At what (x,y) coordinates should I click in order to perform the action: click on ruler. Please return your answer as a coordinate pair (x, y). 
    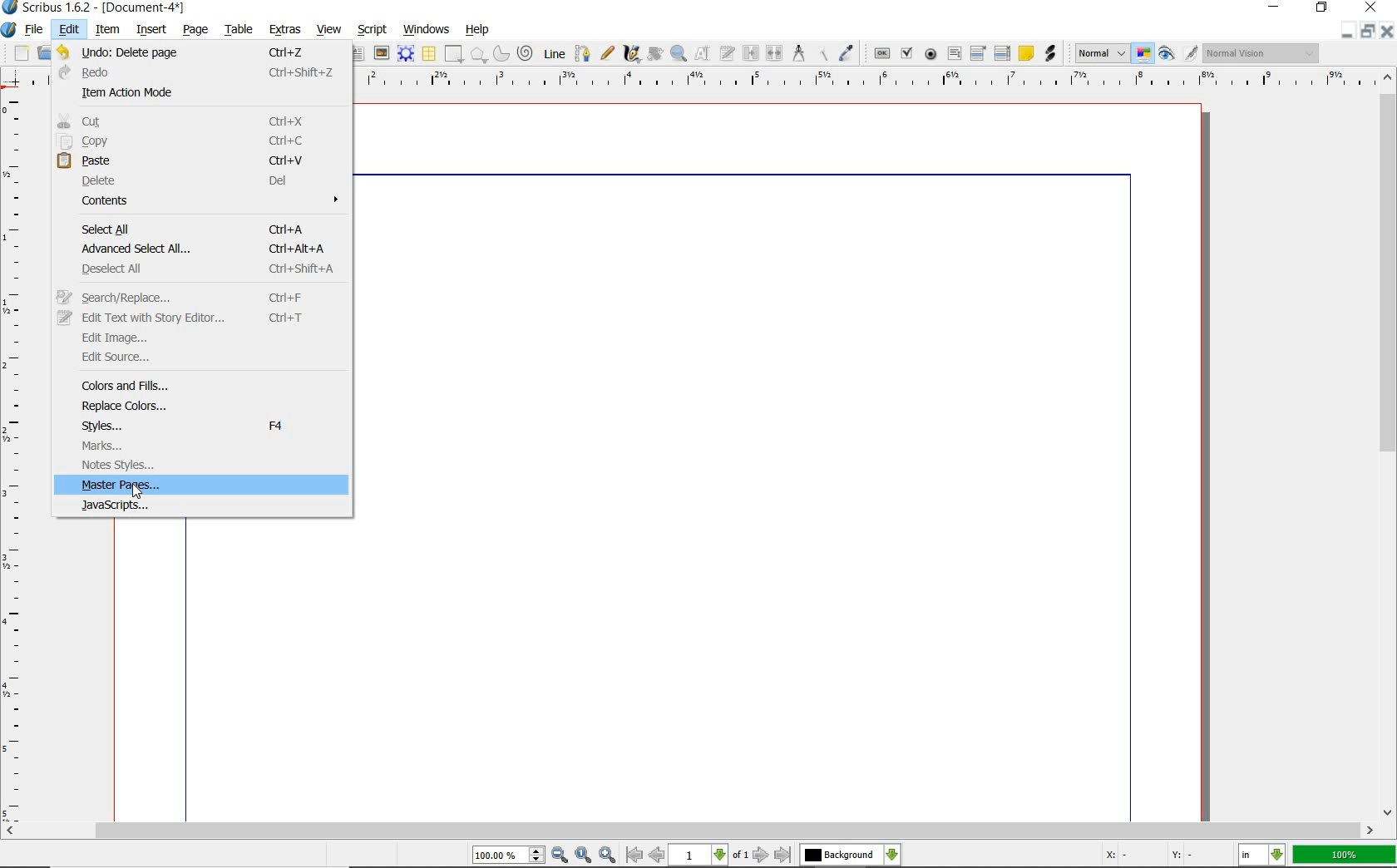
    Looking at the image, I should click on (864, 79).